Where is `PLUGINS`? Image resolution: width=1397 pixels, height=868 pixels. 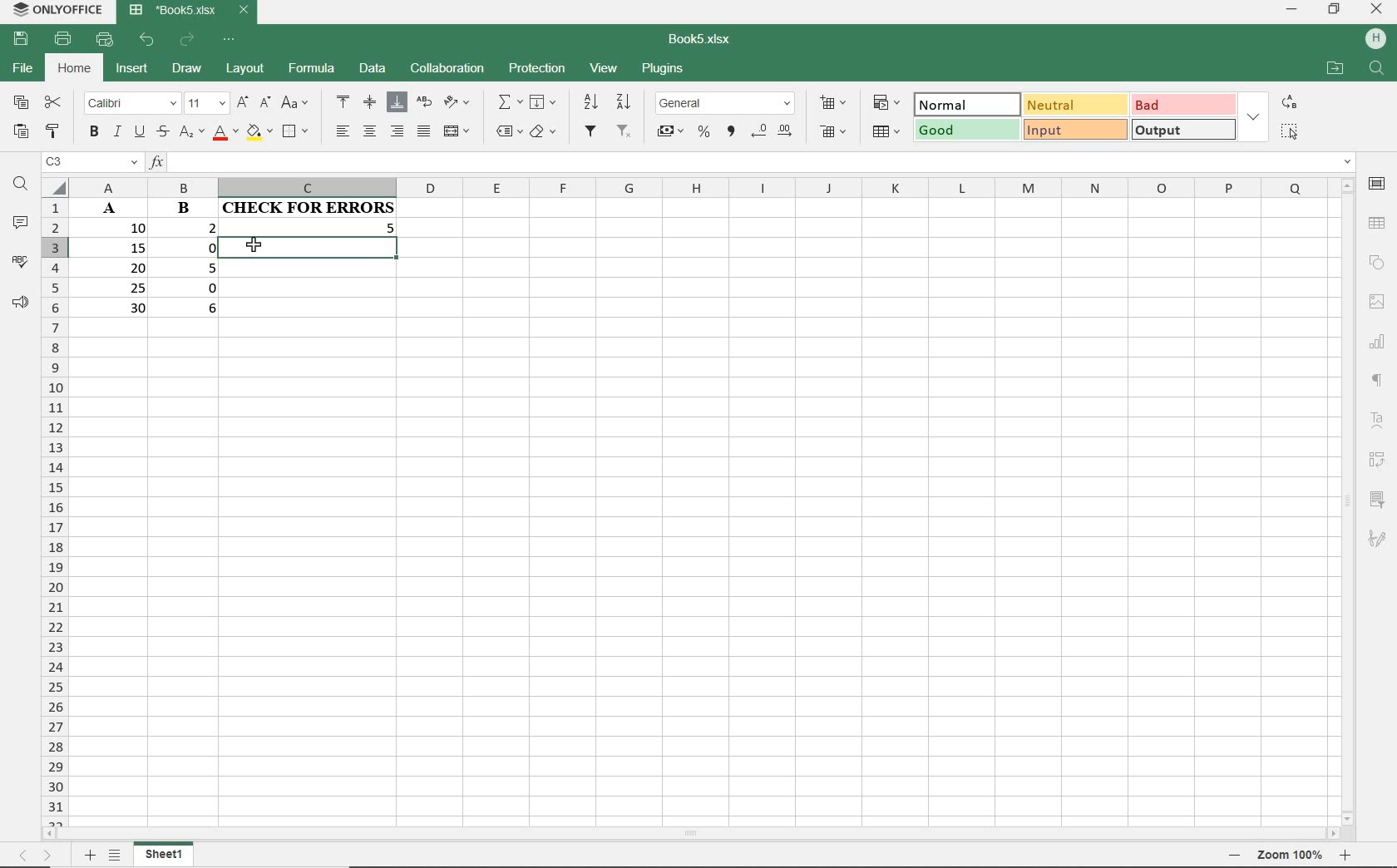 PLUGINS is located at coordinates (662, 71).